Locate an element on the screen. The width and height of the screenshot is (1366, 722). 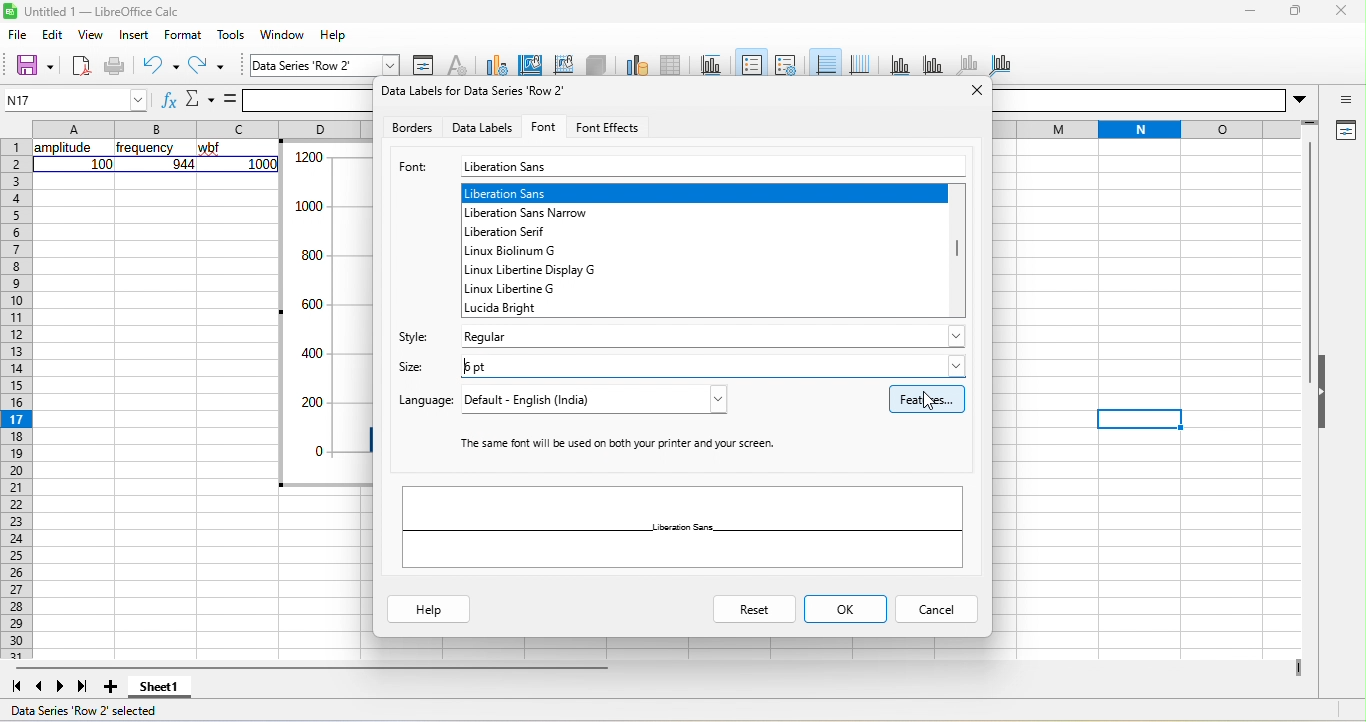
liberation serif is located at coordinates (515, 232).